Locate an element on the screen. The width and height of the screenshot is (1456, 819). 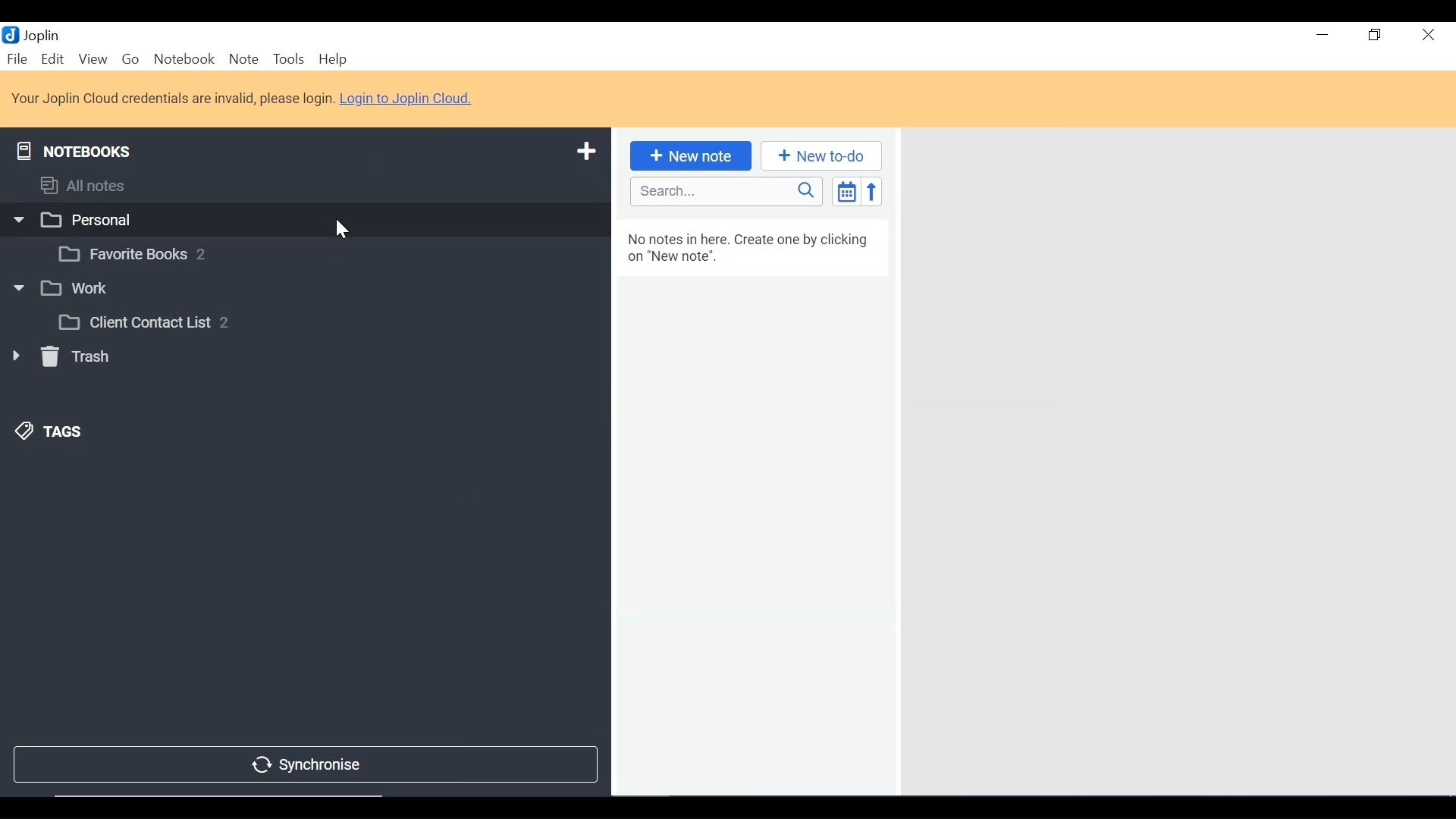
Add New Note is located at coordinates (689, 156).